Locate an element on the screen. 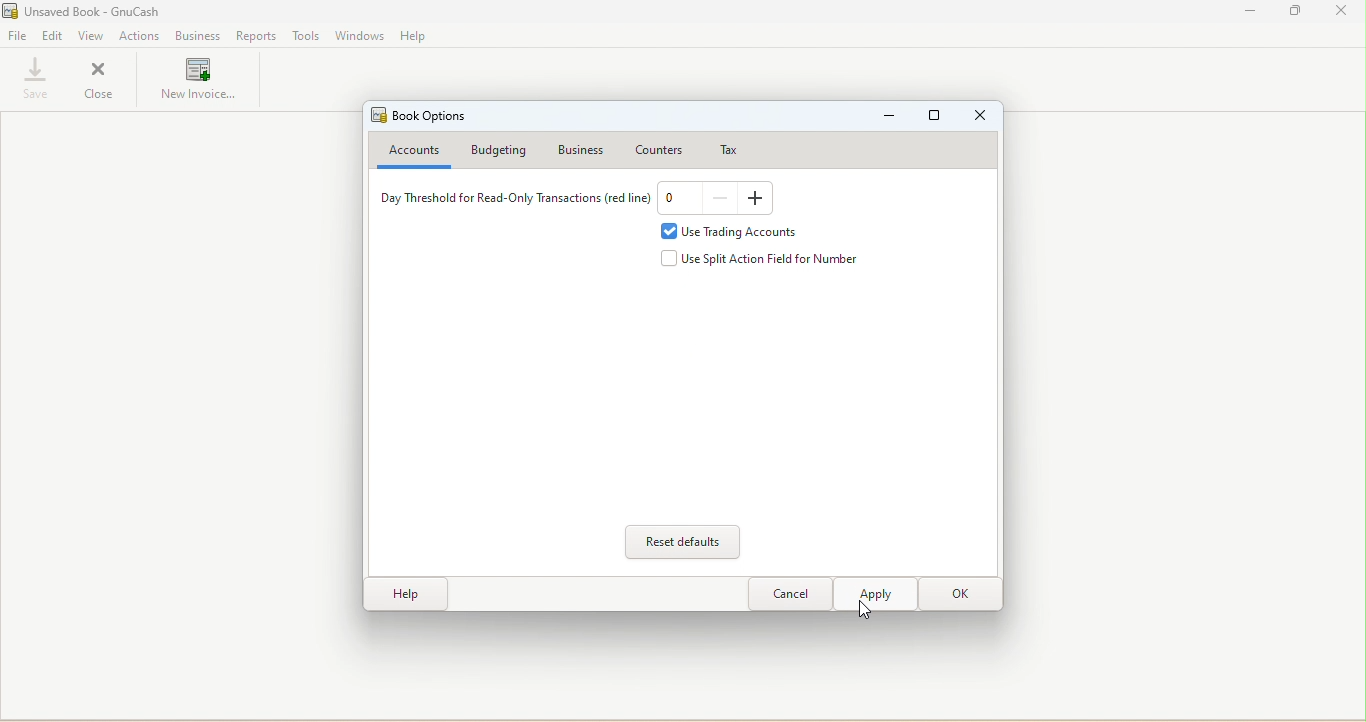  Help is located at coordinates (415, 37).